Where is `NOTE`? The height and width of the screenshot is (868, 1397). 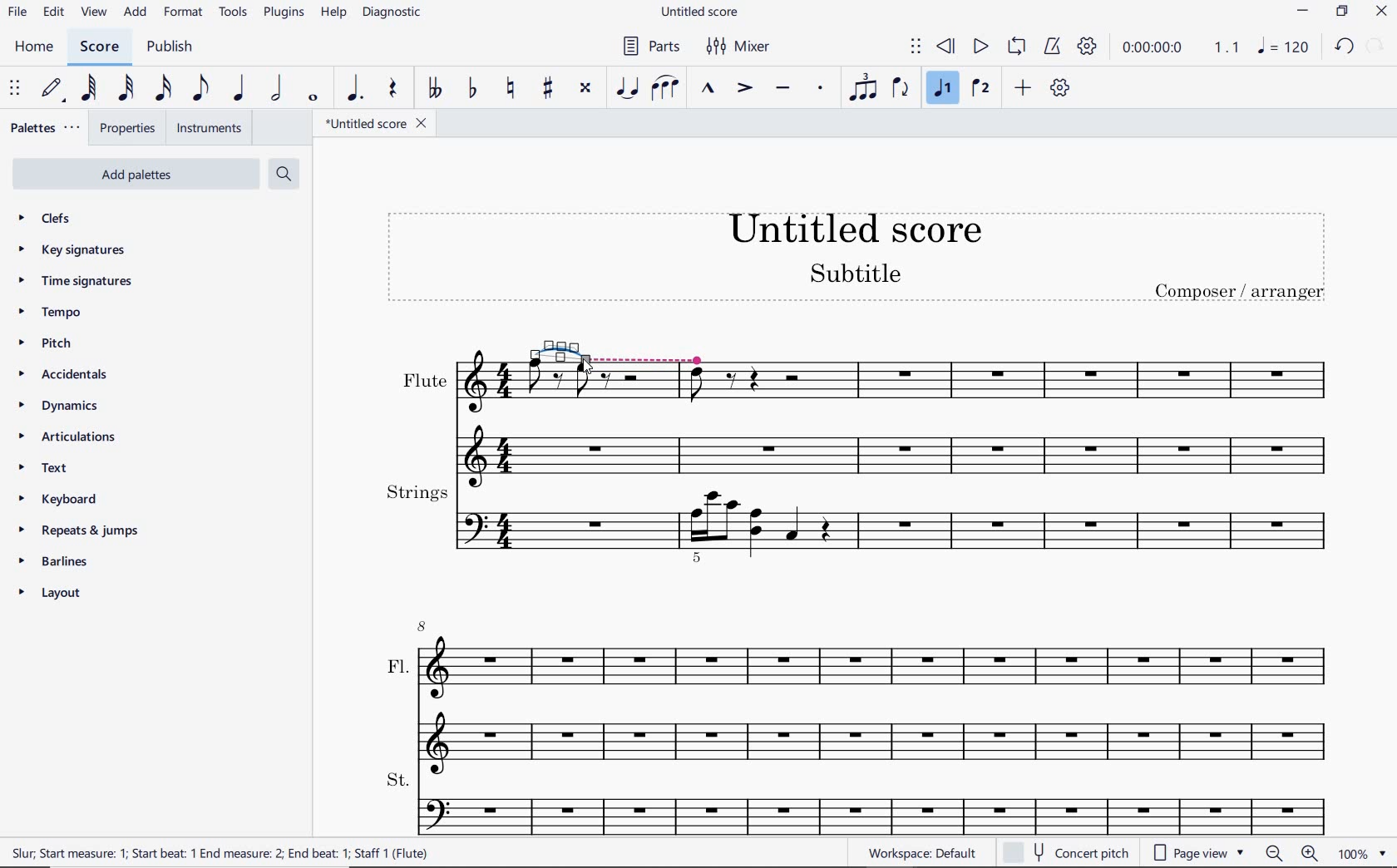 NOTE is located at coordinates (1286, 48).